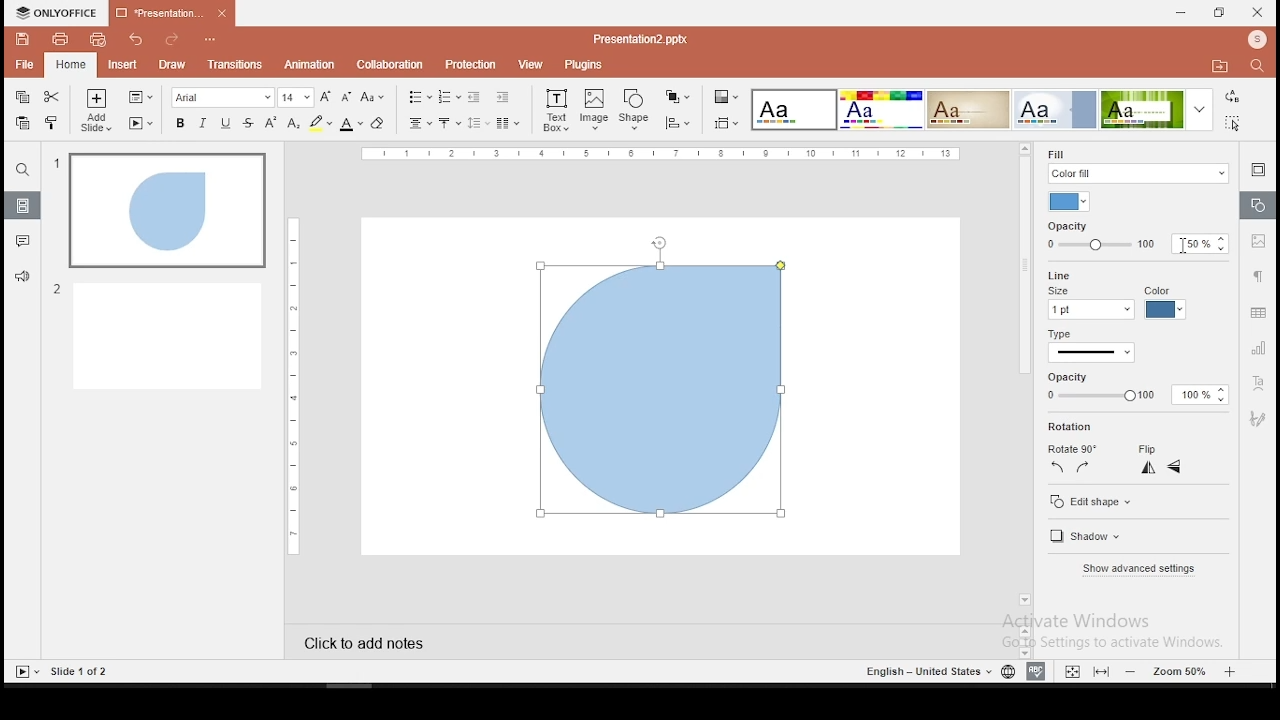 This screenshot has height=720, width=1280. Describe the element at coordinates (1057, 467) in the screenshot. I see `left` at that location.